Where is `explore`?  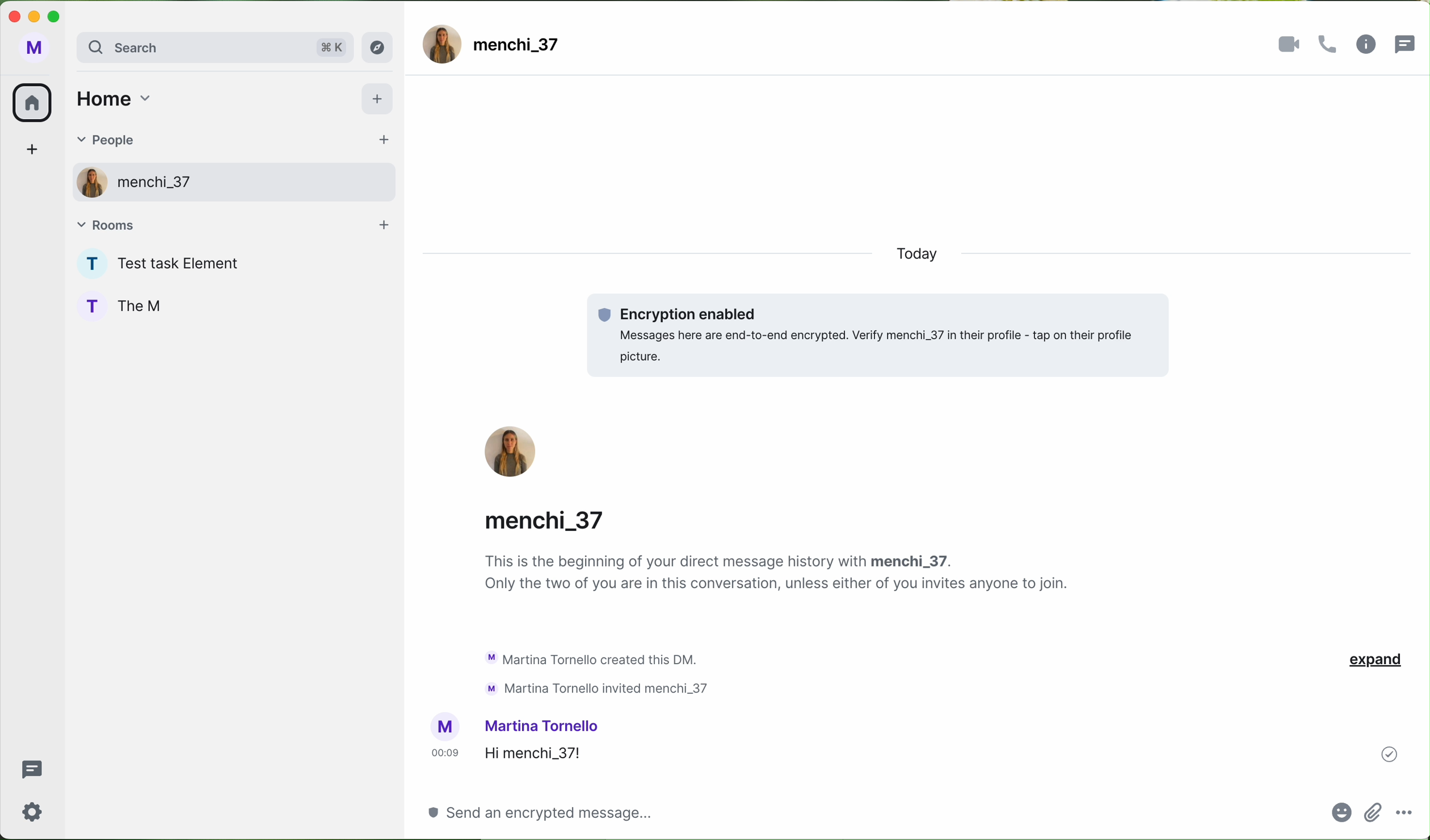 explore is located at coordinates (381, 47).